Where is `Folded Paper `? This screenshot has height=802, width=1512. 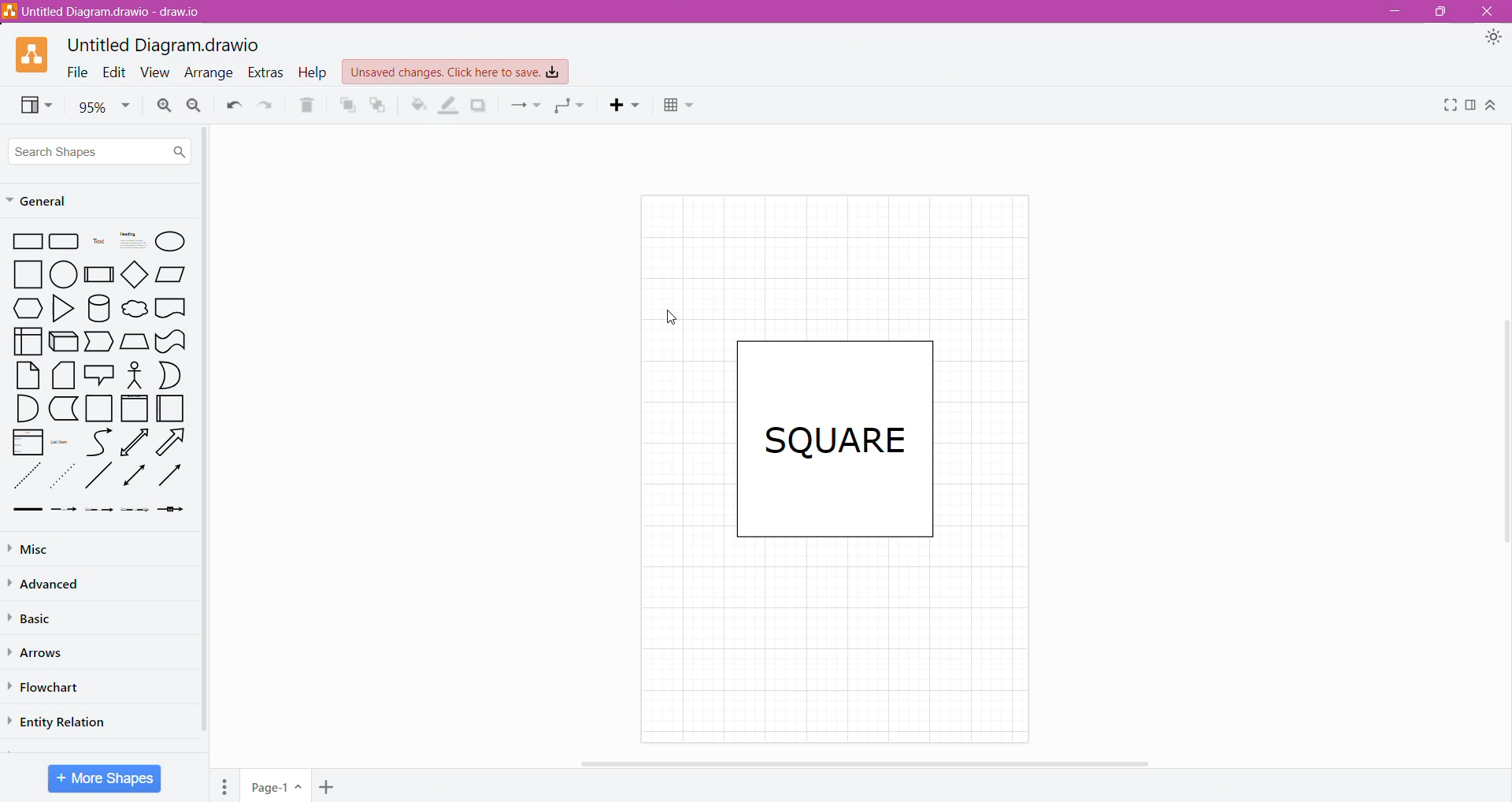 Folded Paper  is located at coordinates (170, 409).